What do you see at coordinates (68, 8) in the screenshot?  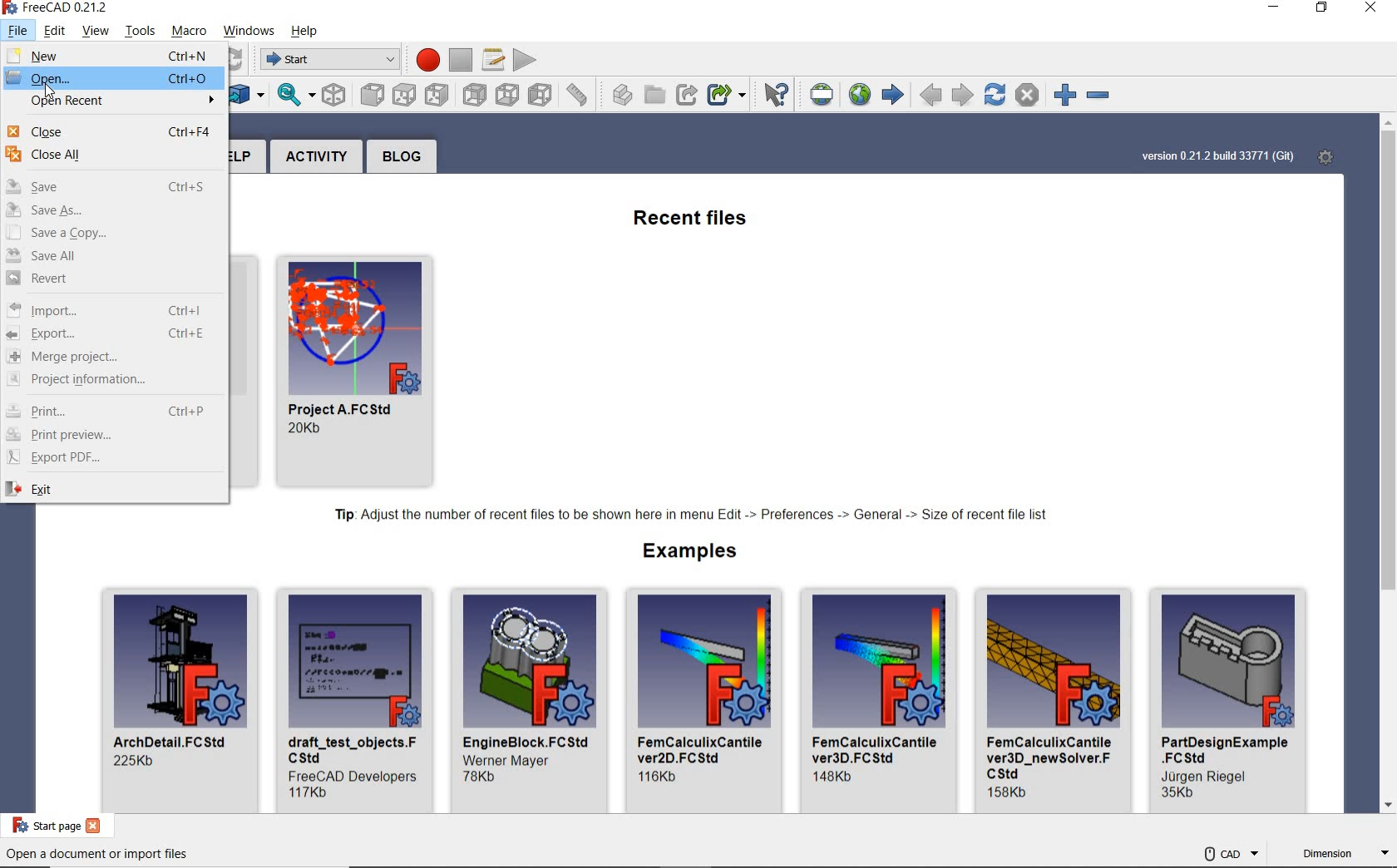 I see `SYSTEM NAME` at bounding box center [68, 8].